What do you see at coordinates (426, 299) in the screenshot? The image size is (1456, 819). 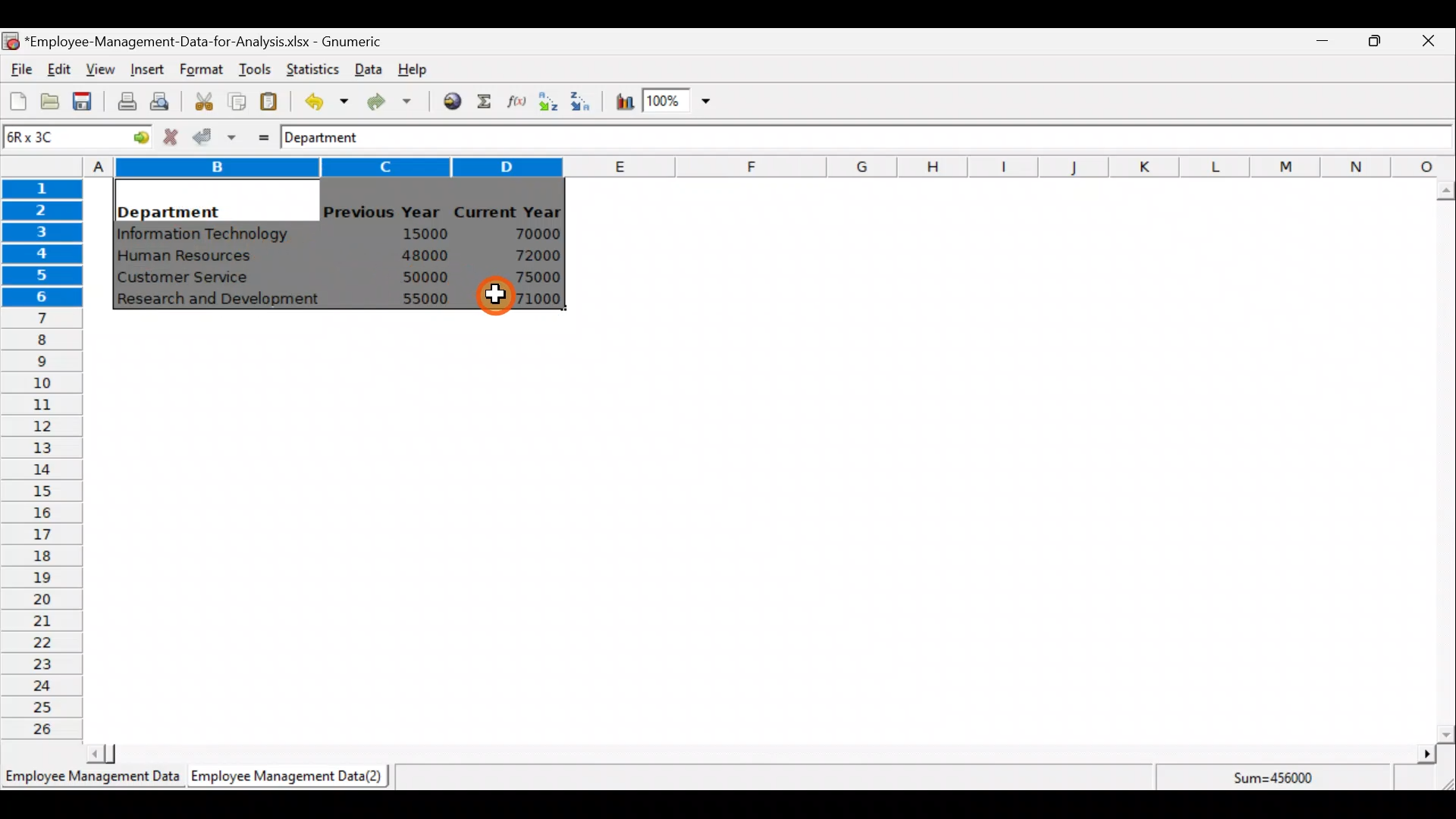 I see `55000` at bounding box center [426, 299].